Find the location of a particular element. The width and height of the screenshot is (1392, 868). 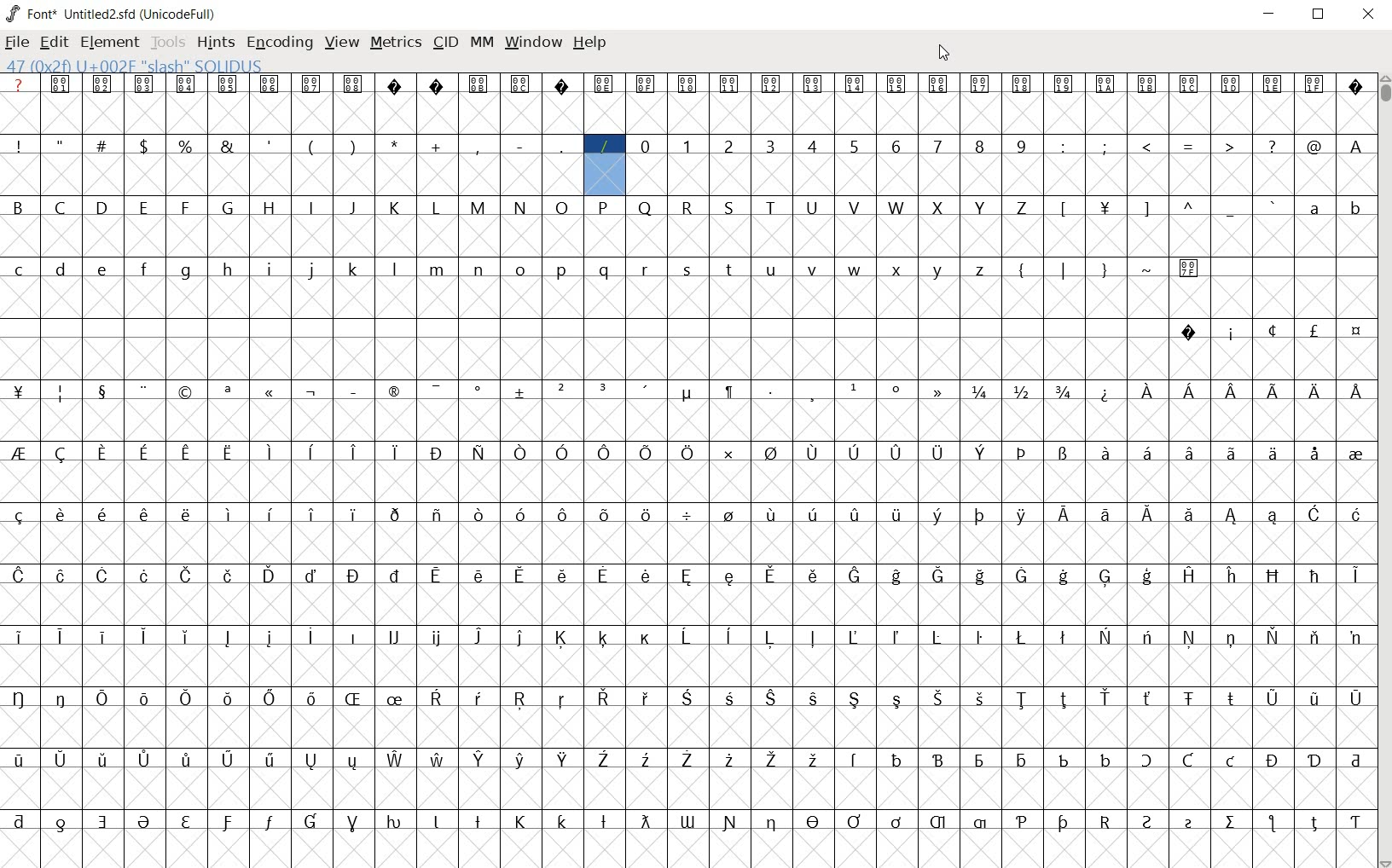

glyph is located at coordinates (478, 821).